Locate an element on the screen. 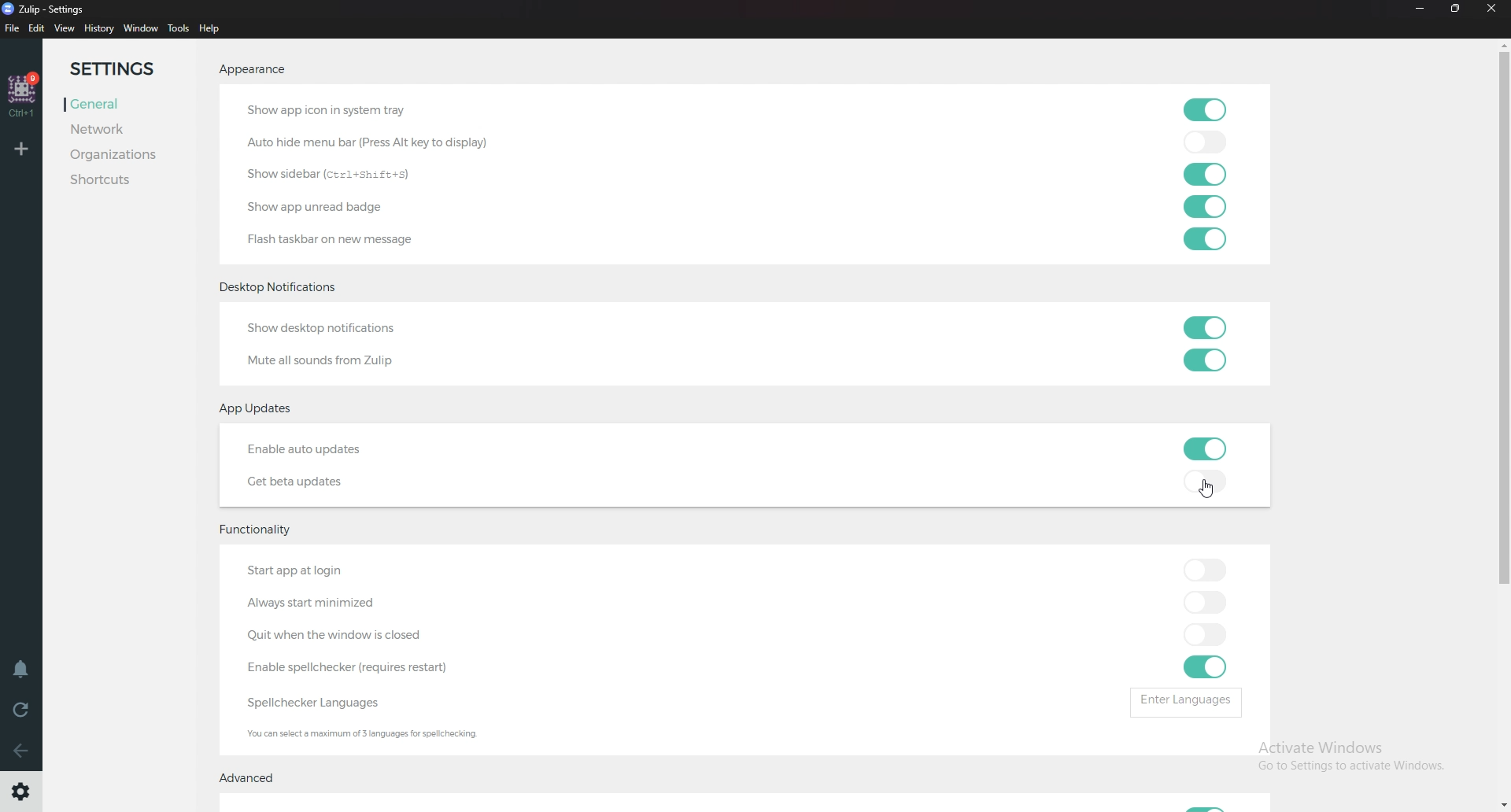 The image size is (1511, 812). Reload is located at coordinates (19, 710).